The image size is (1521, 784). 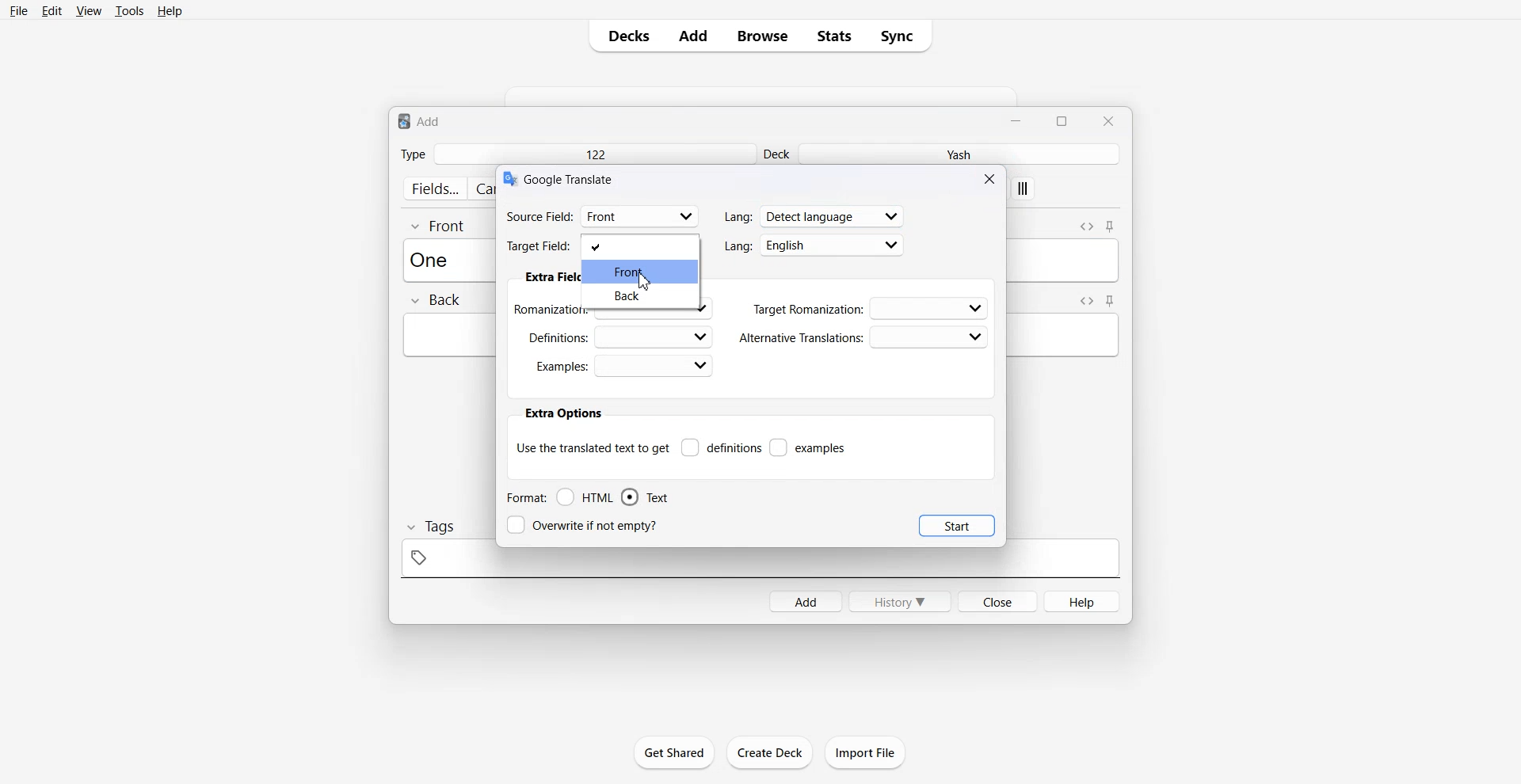 What do you see at coordinates (805, 601) in the screenshot?
I see `Add` at bounding box center [805, 601].